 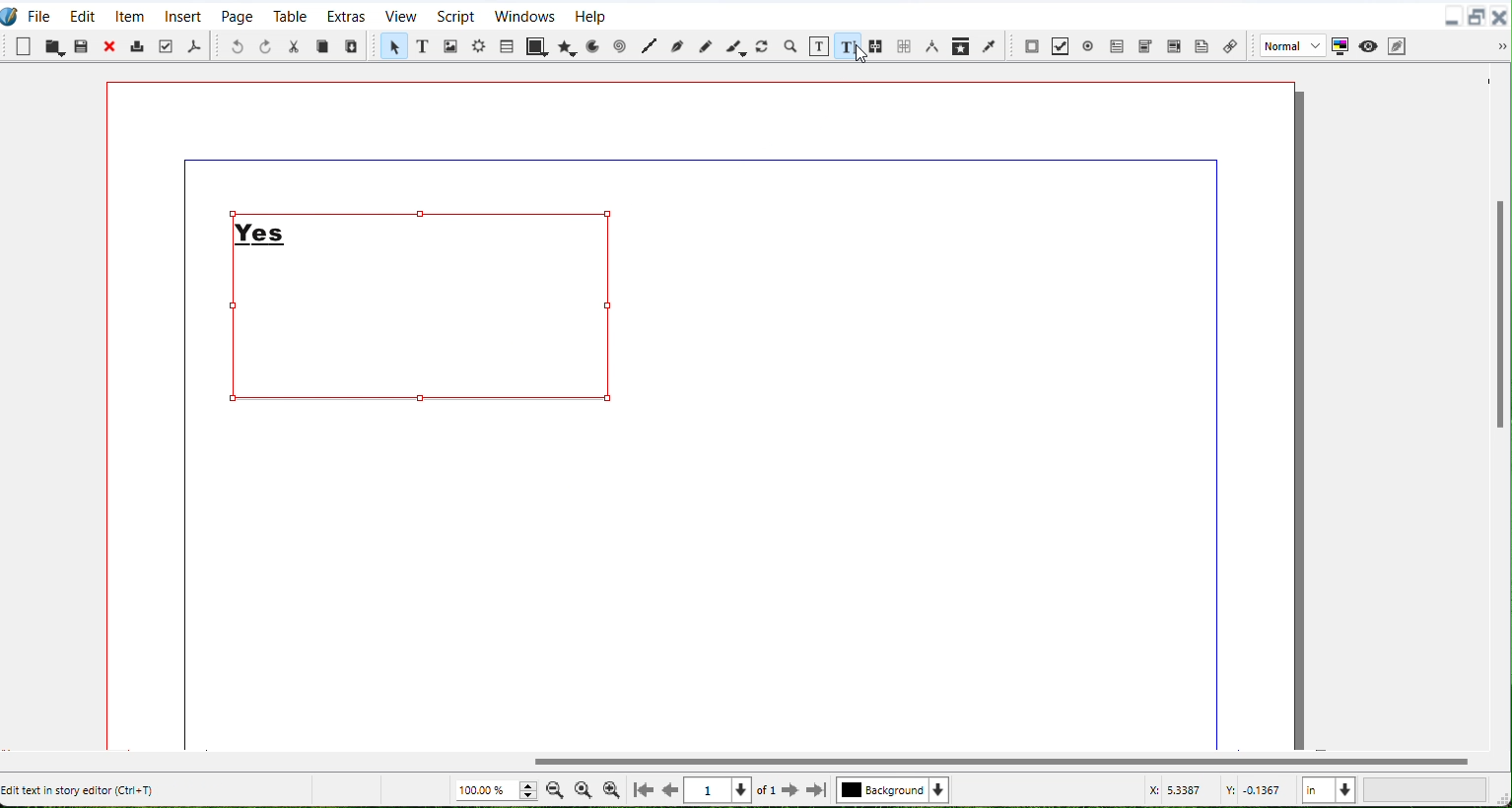 I want to click on left margin, so click(x=181, y=460).